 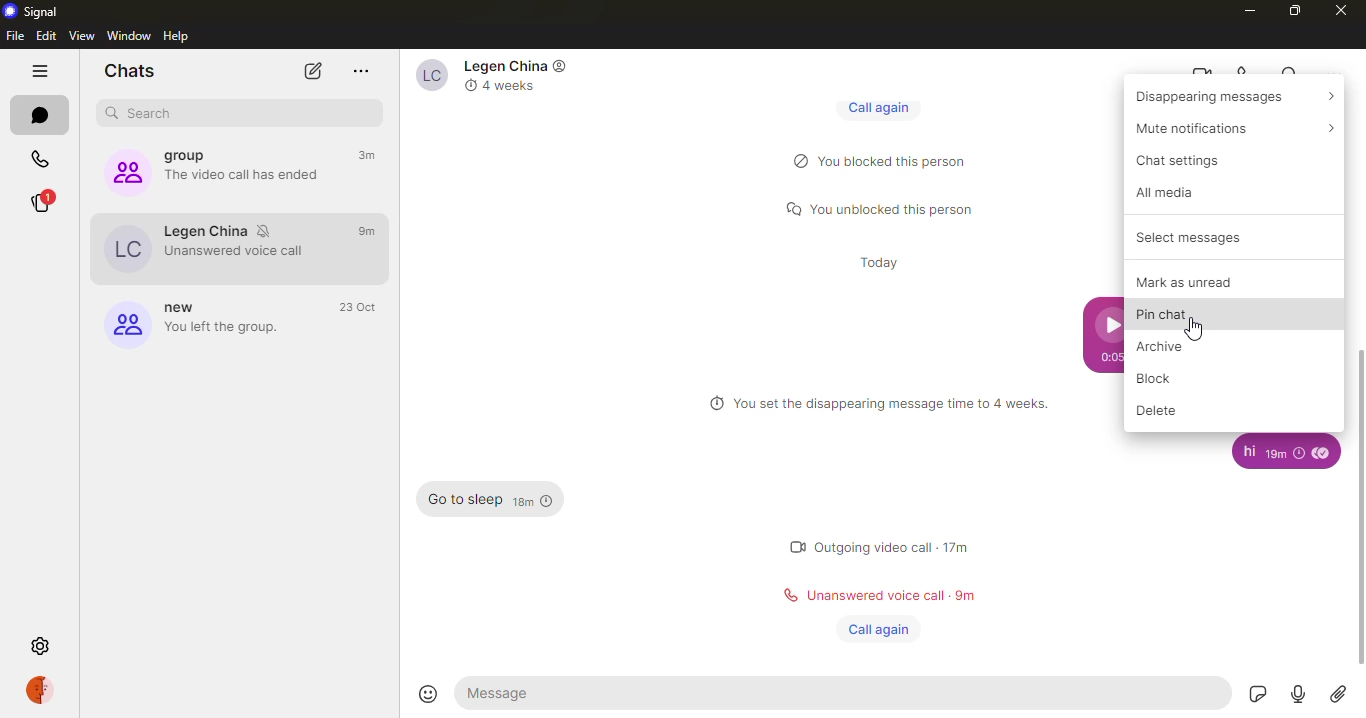 What do you see at coordinates (1243, 452) in the screenshot?
I see `message` at bounding box center [1243, 452].